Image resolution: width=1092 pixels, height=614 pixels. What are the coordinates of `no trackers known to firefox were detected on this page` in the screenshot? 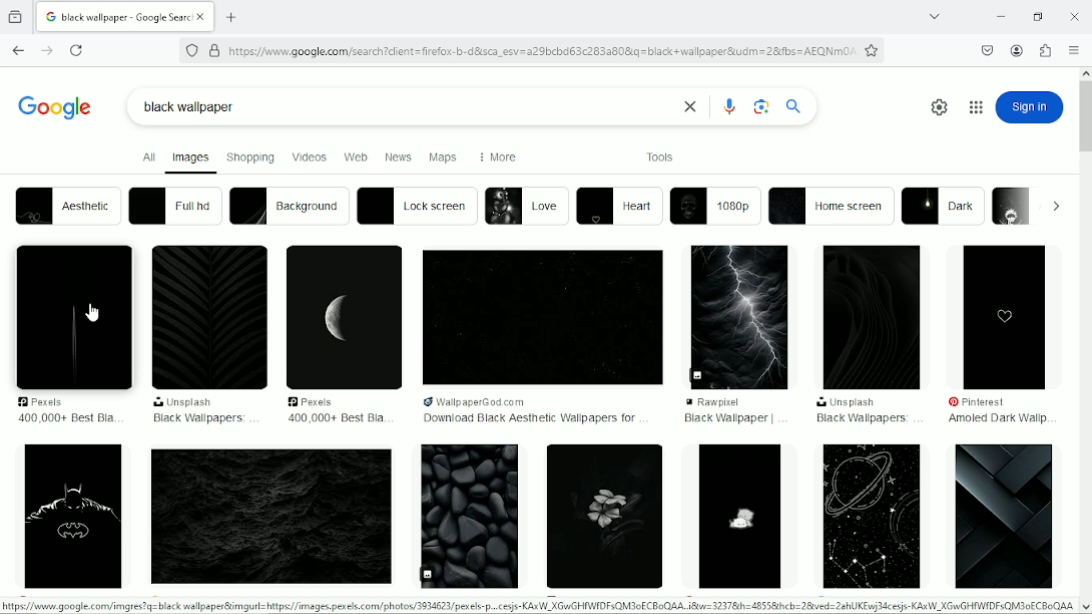 It's located at (191, 49).